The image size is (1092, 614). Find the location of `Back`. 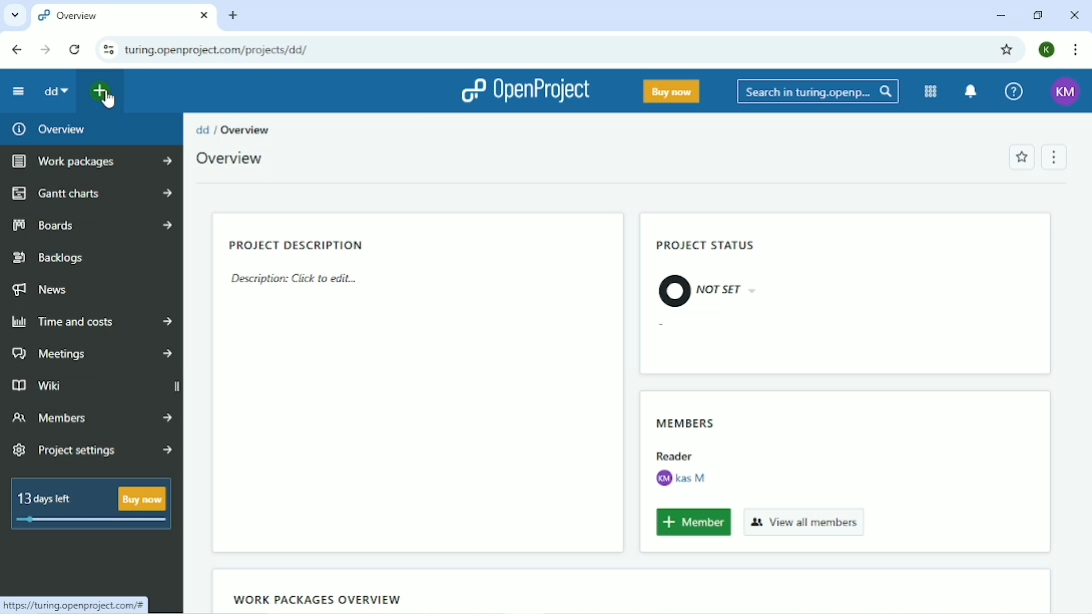

Back is located at coordinates (17, 49).